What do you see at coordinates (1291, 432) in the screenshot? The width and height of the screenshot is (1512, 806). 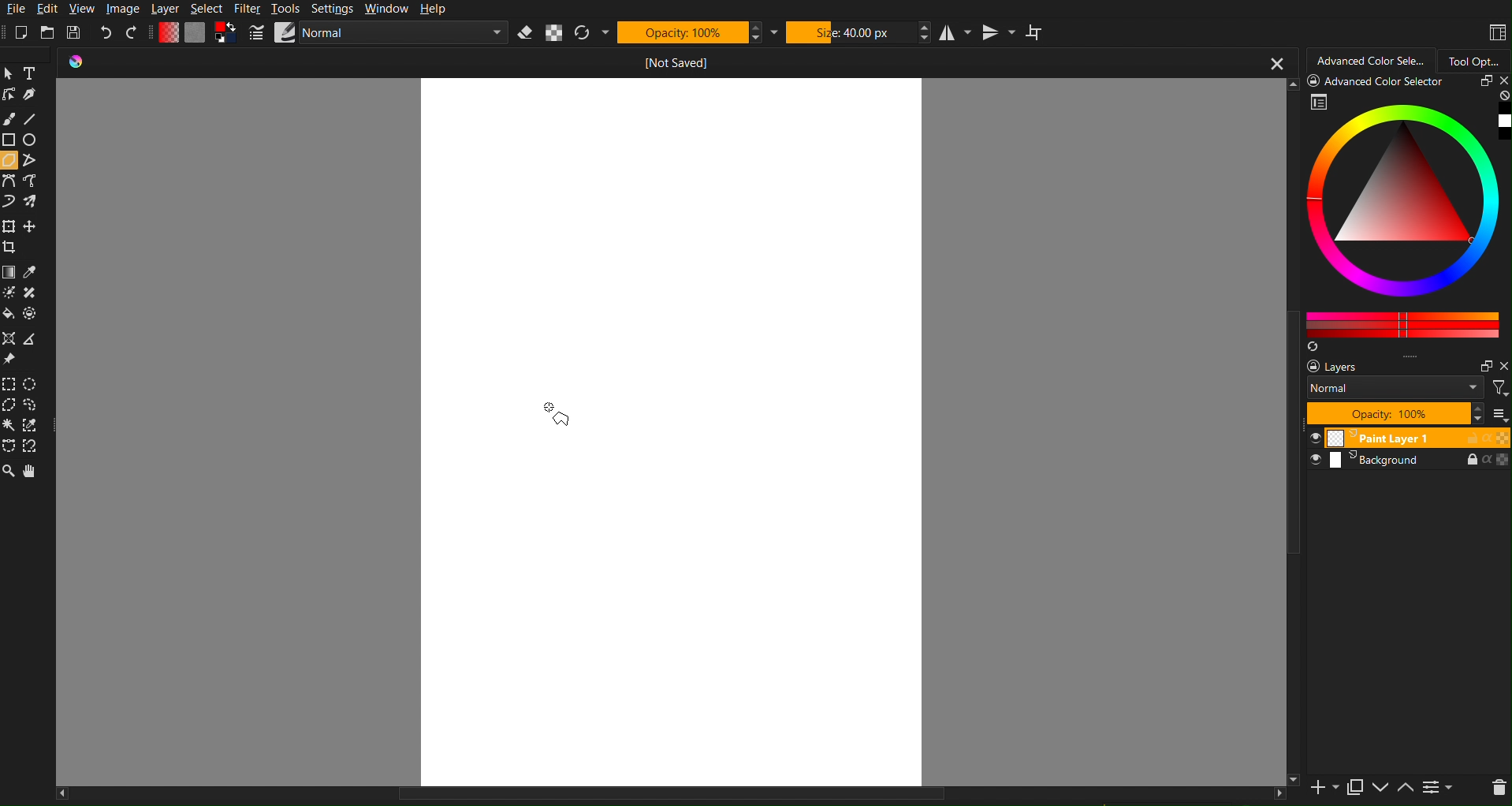 I see `scroll bar` at bounding box center [1291, 432].